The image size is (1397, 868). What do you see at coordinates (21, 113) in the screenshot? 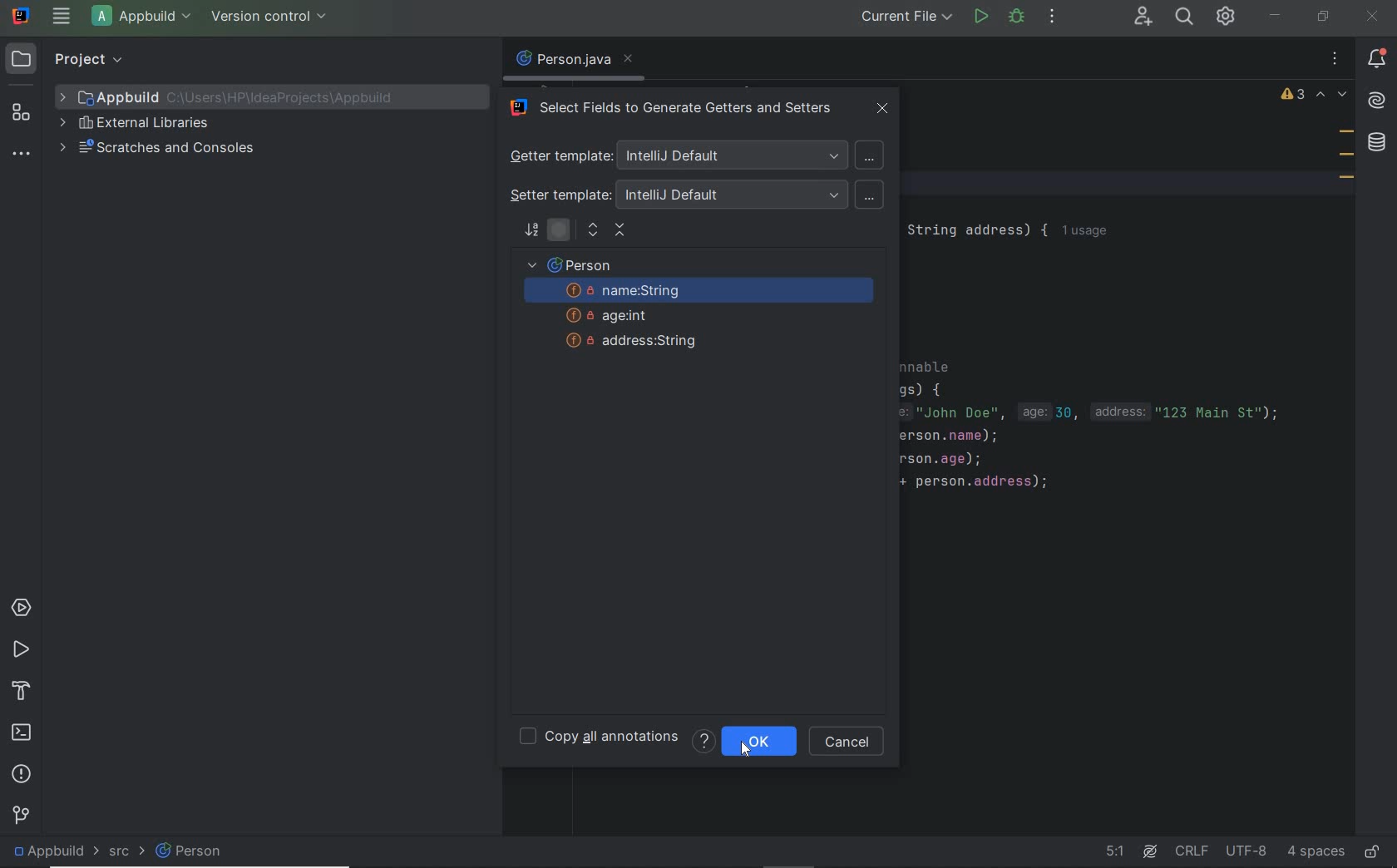
I see `structure` at bounding box center [21, 113].